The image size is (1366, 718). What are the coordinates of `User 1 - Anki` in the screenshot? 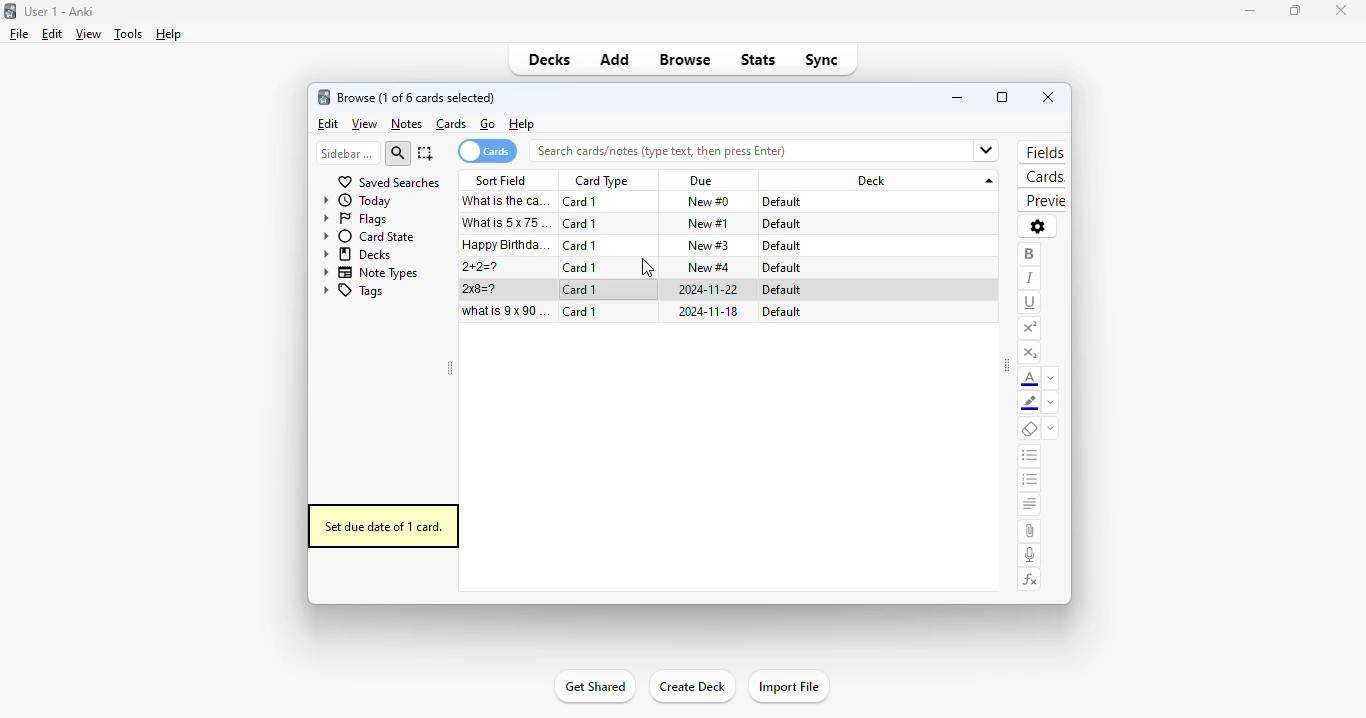 It's located at (59, 11).